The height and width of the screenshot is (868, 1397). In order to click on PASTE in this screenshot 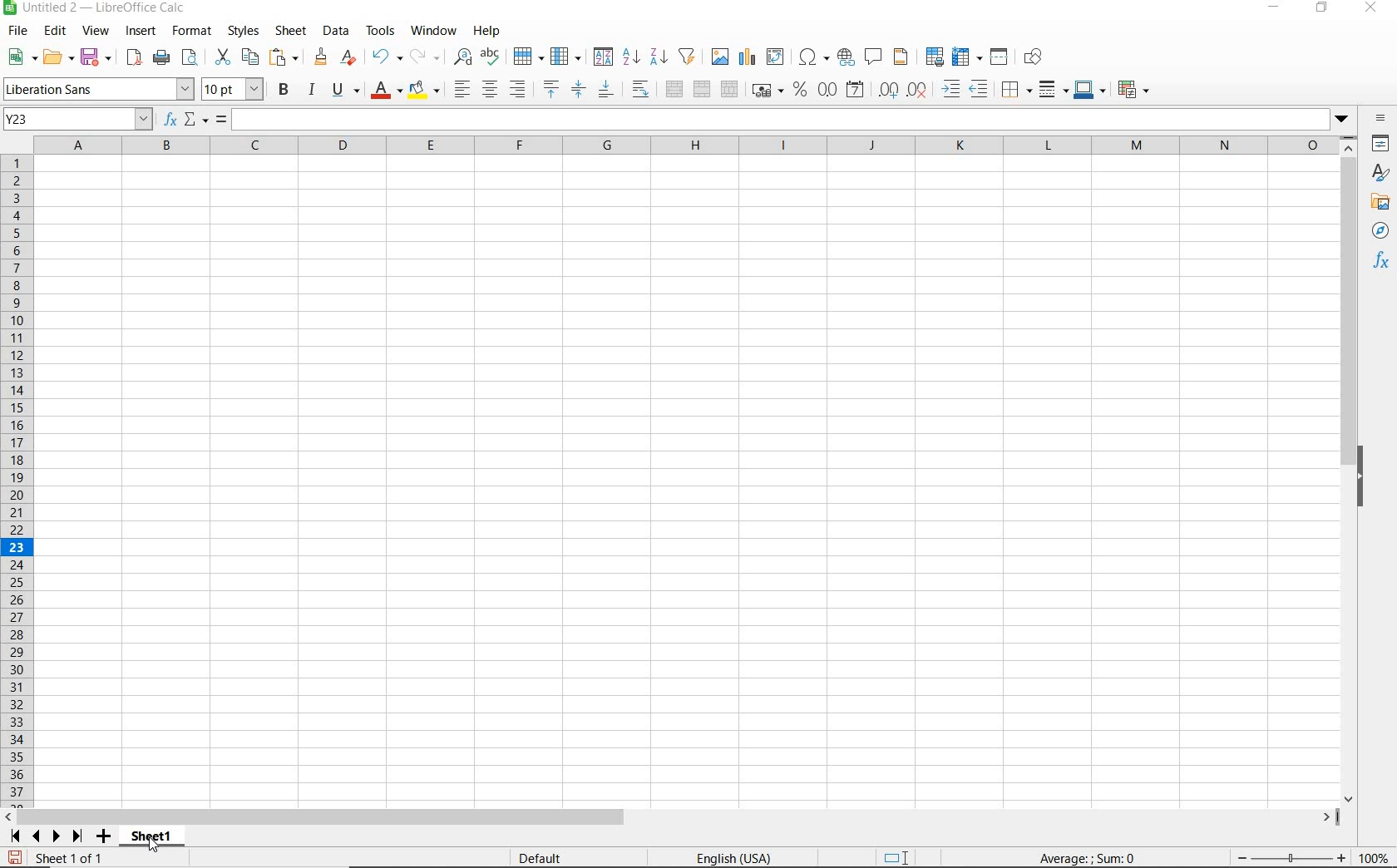, I will do `click(284, 57)`.